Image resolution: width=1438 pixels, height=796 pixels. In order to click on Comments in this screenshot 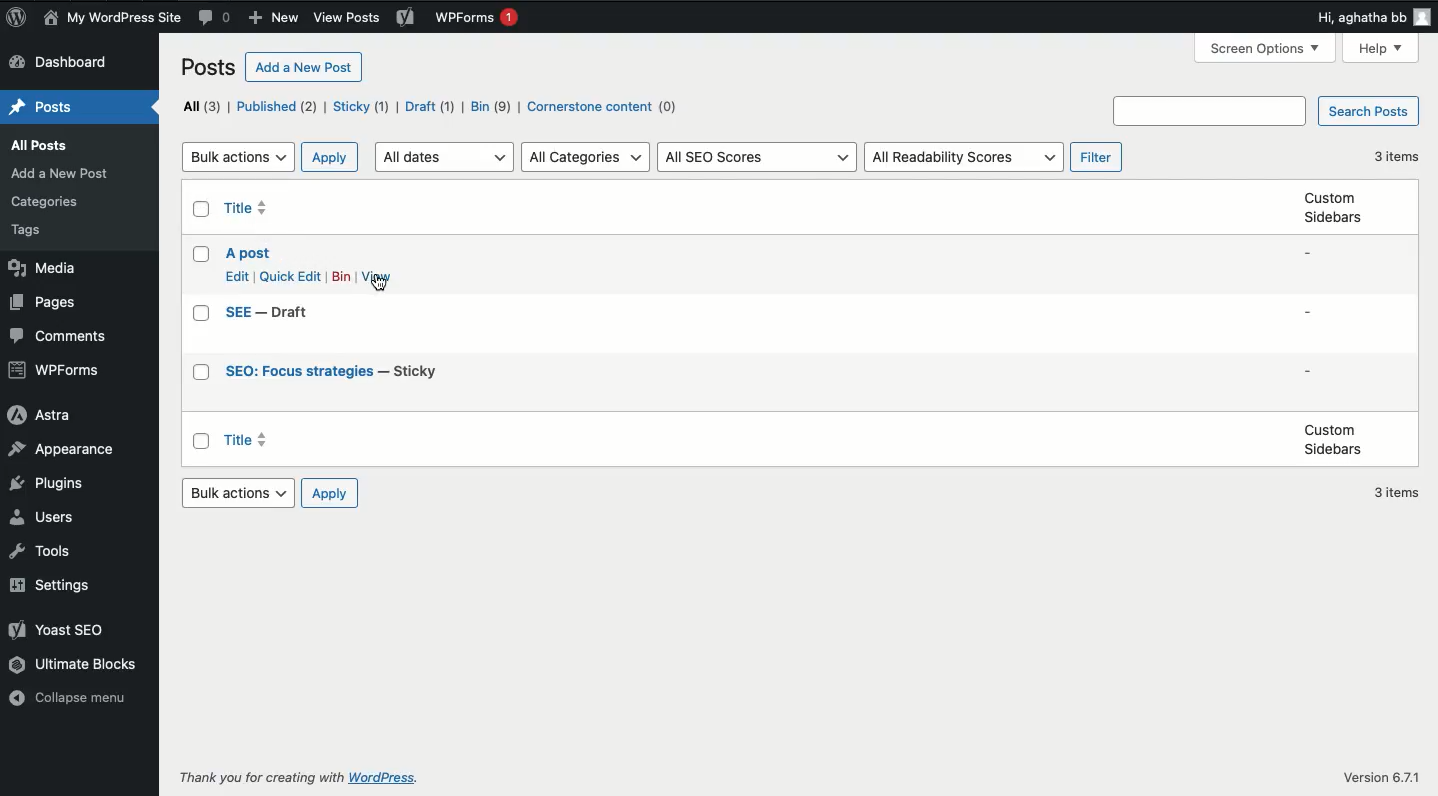, I will do `click(58, 334)`.